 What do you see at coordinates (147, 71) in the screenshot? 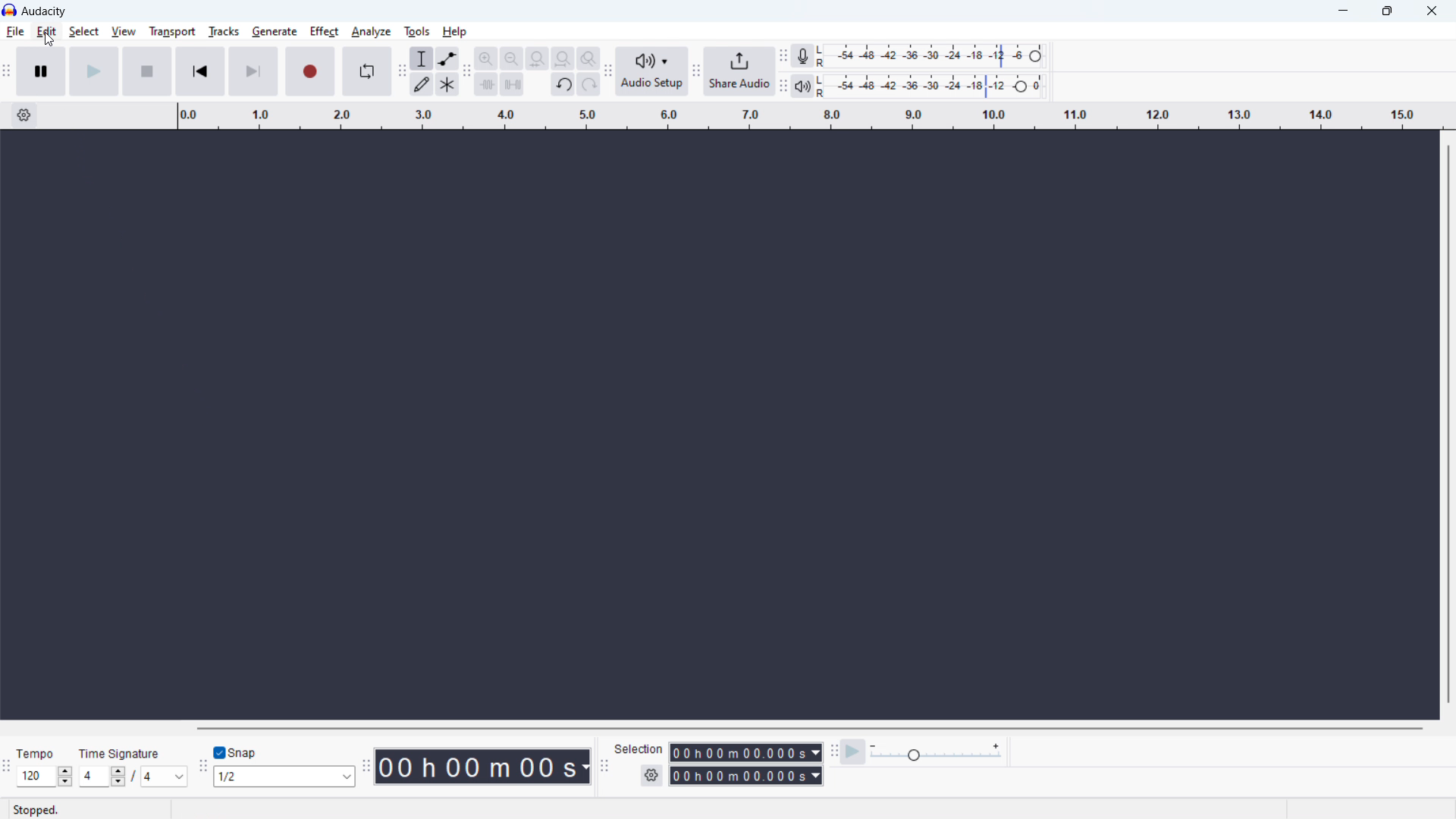
I see `stop` at bounding box center [147, 71].